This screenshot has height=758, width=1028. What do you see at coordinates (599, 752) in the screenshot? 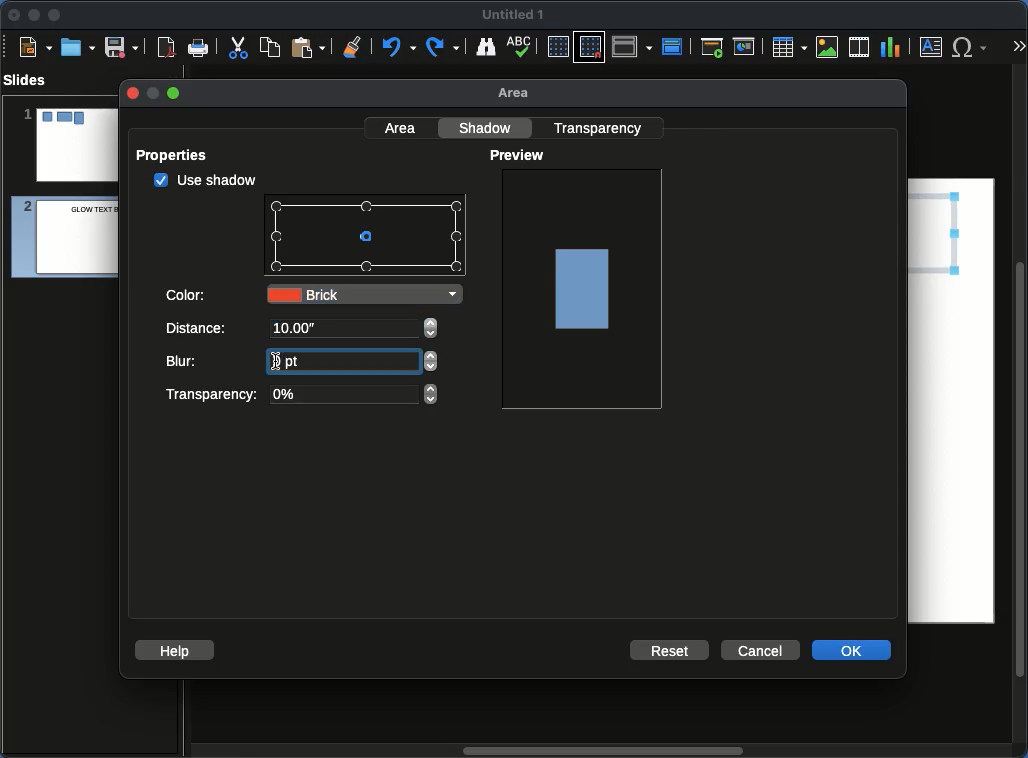
I see `Scroll` at bounding box center [599, 752].